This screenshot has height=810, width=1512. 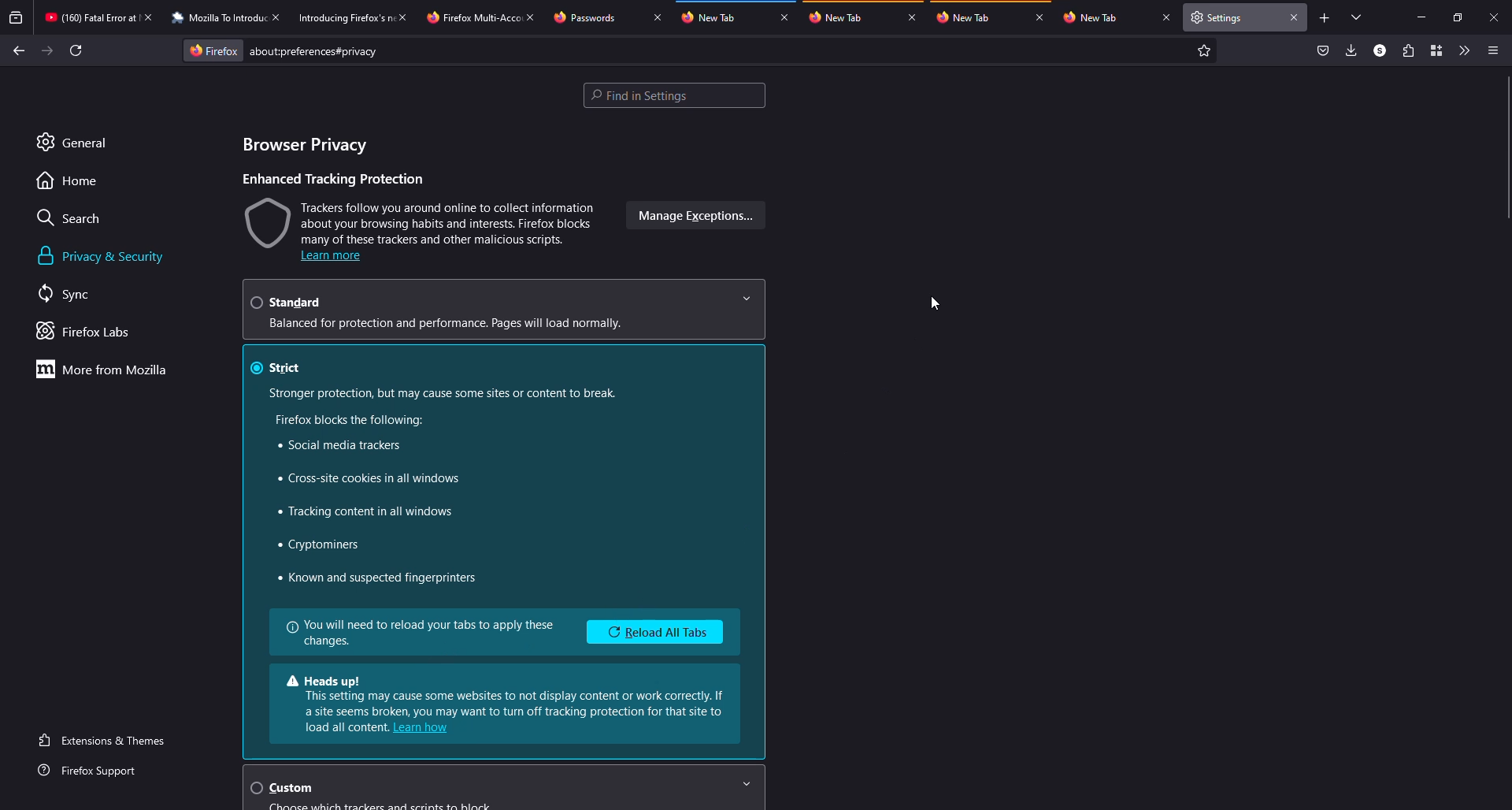 What do you see at coordinates (69, 182) in the screenshot?
I see `home` at bounding box center [69, 182].